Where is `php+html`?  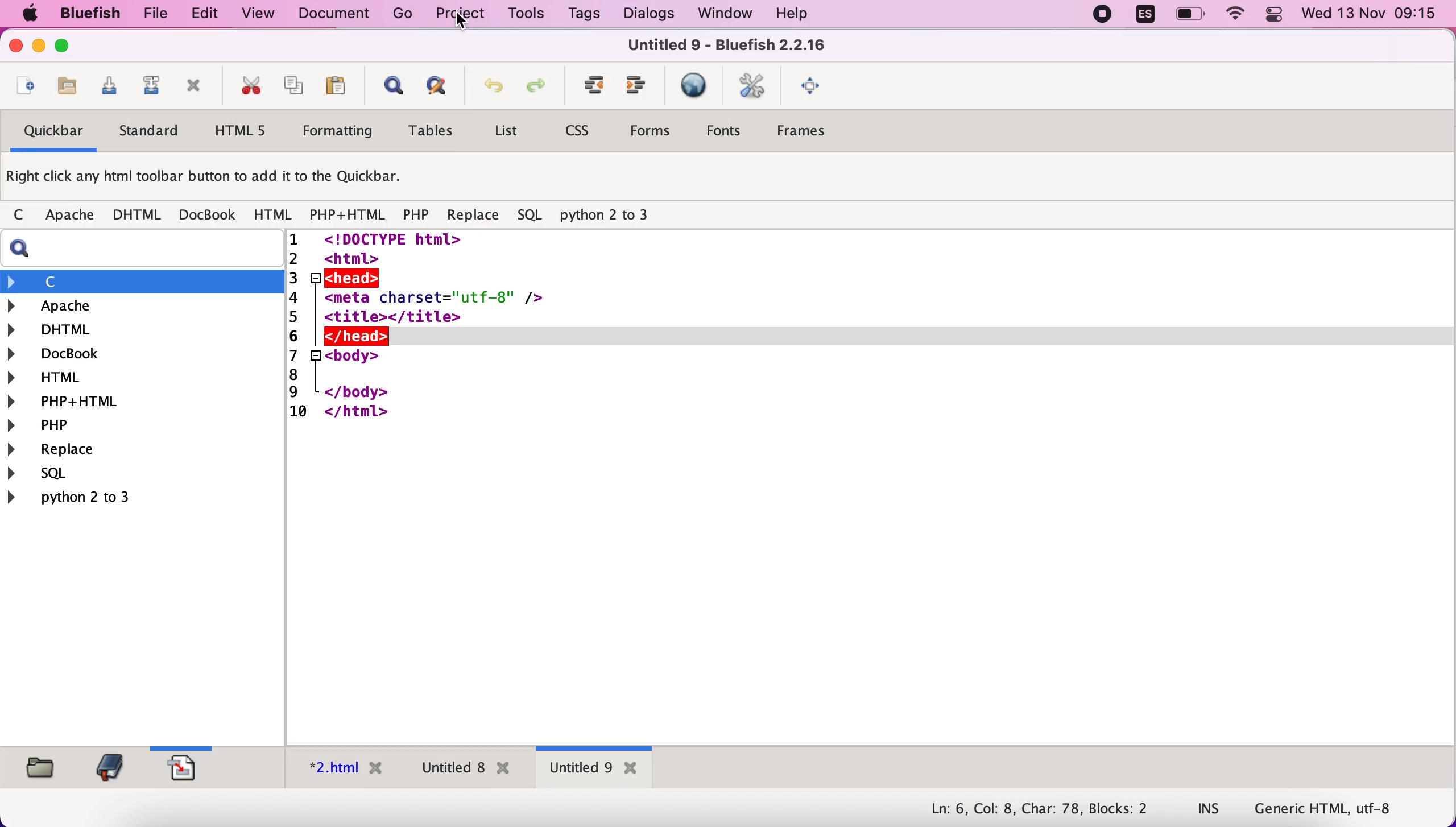 php+html is located at coordinates (347, 215).